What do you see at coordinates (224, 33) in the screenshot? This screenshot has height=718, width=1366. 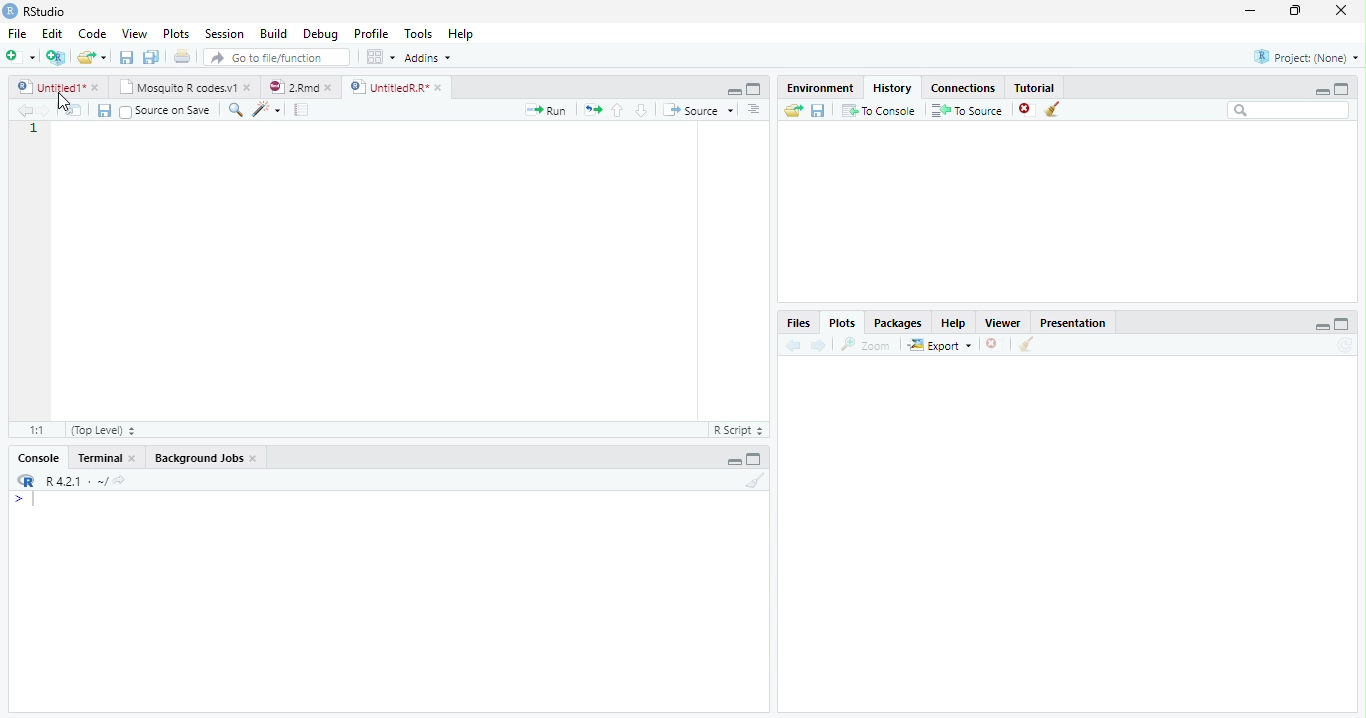 I see `Session` at bounding box center [224, 33].